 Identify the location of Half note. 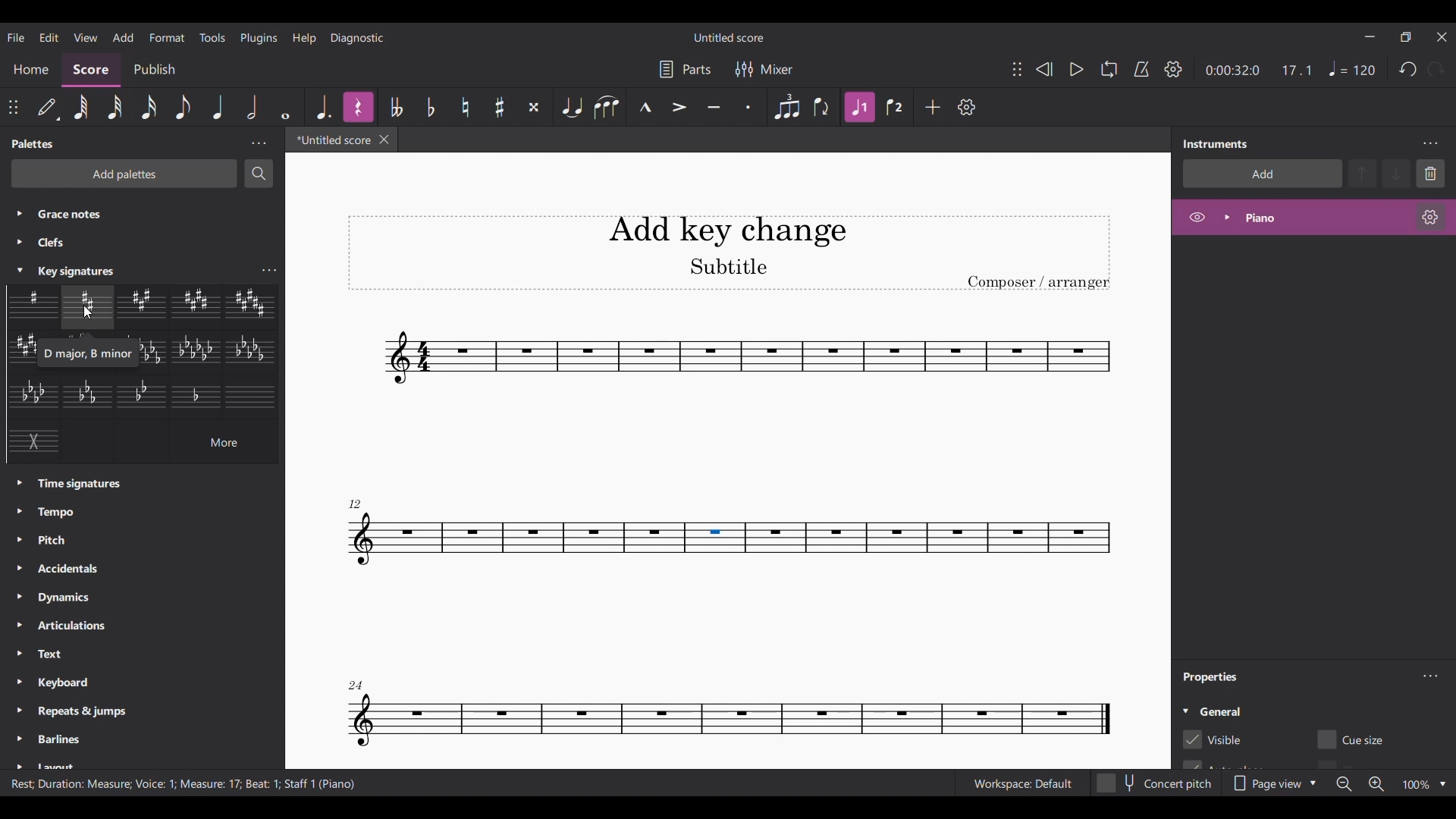
(253, 107).